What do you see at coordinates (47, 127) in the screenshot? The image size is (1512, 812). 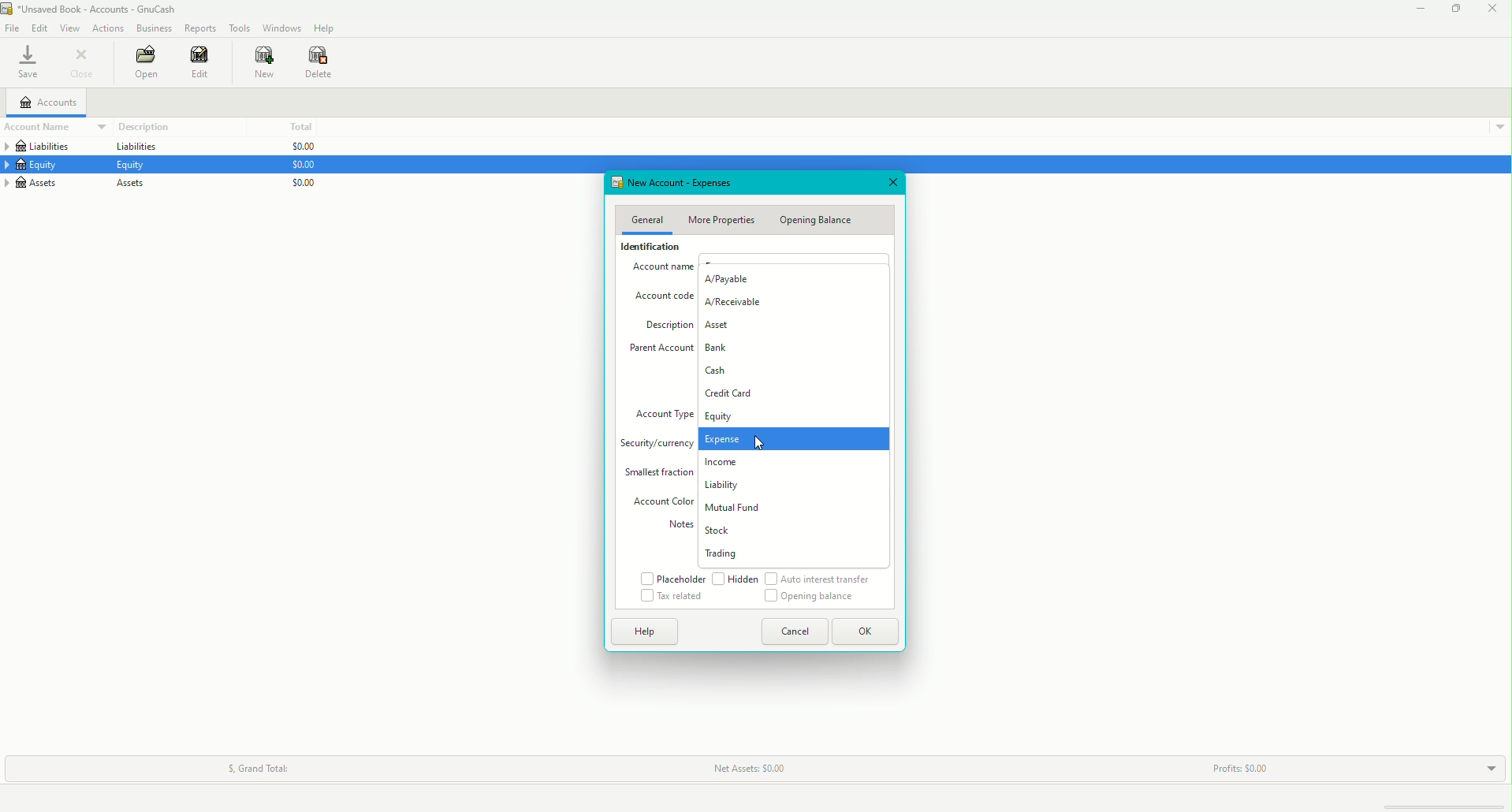 I see `Account Name` at bounding box center [47, 127].